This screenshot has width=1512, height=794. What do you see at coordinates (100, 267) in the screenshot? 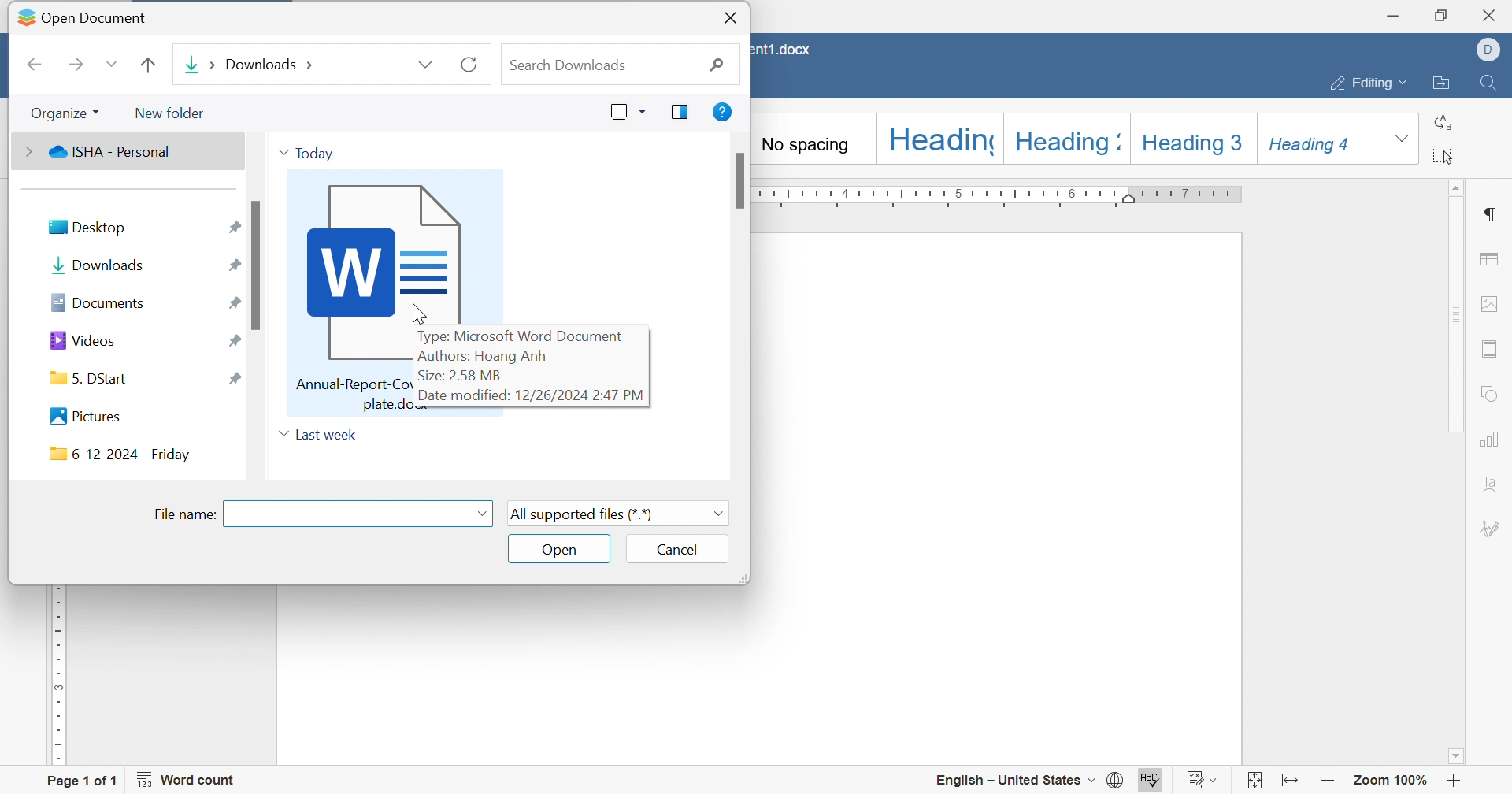
I see `downloads` at bounding box center [100, 267].